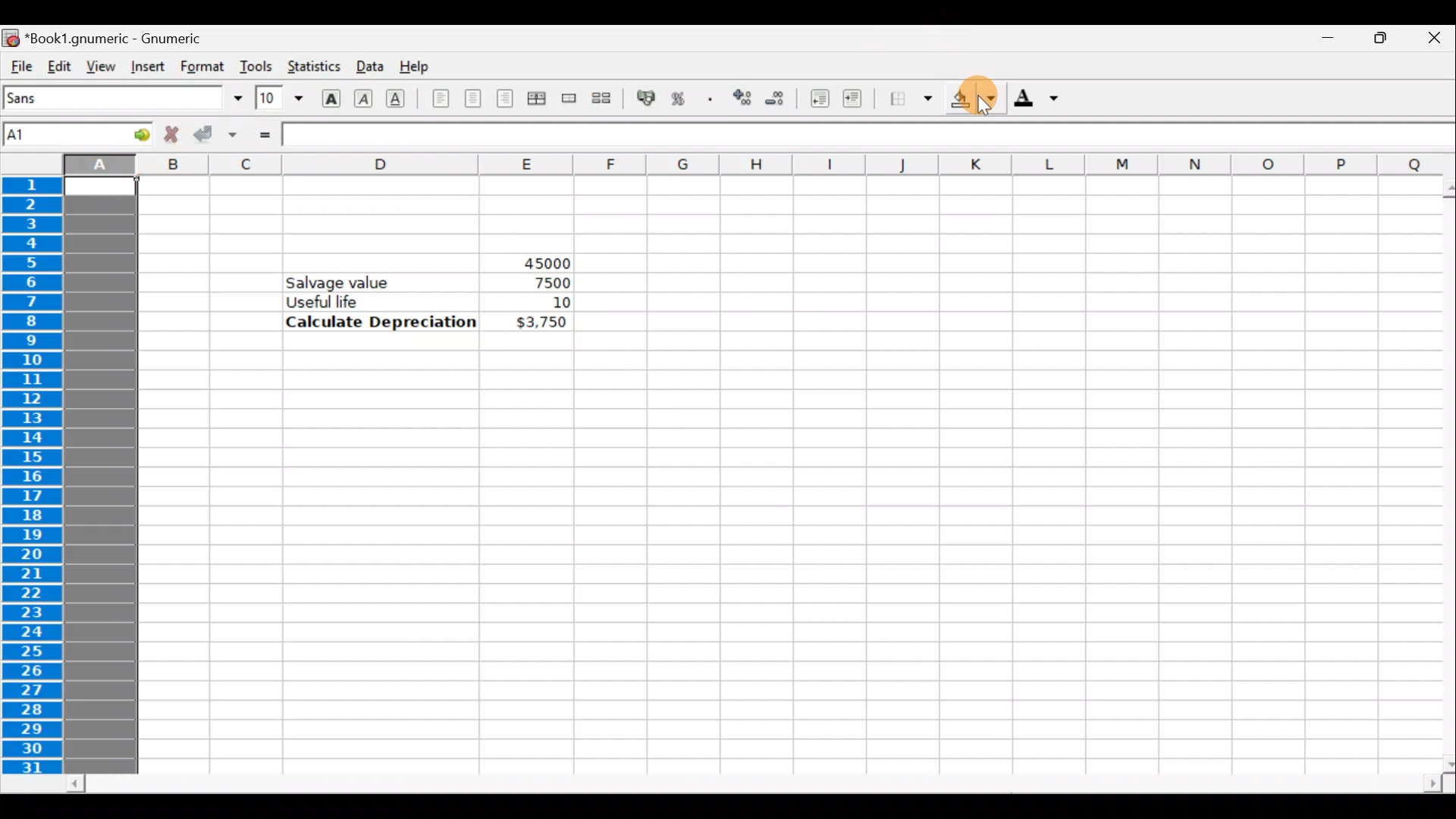 This screenshot has width=1456, height=819. I want to click on Format, so click(204, 66).